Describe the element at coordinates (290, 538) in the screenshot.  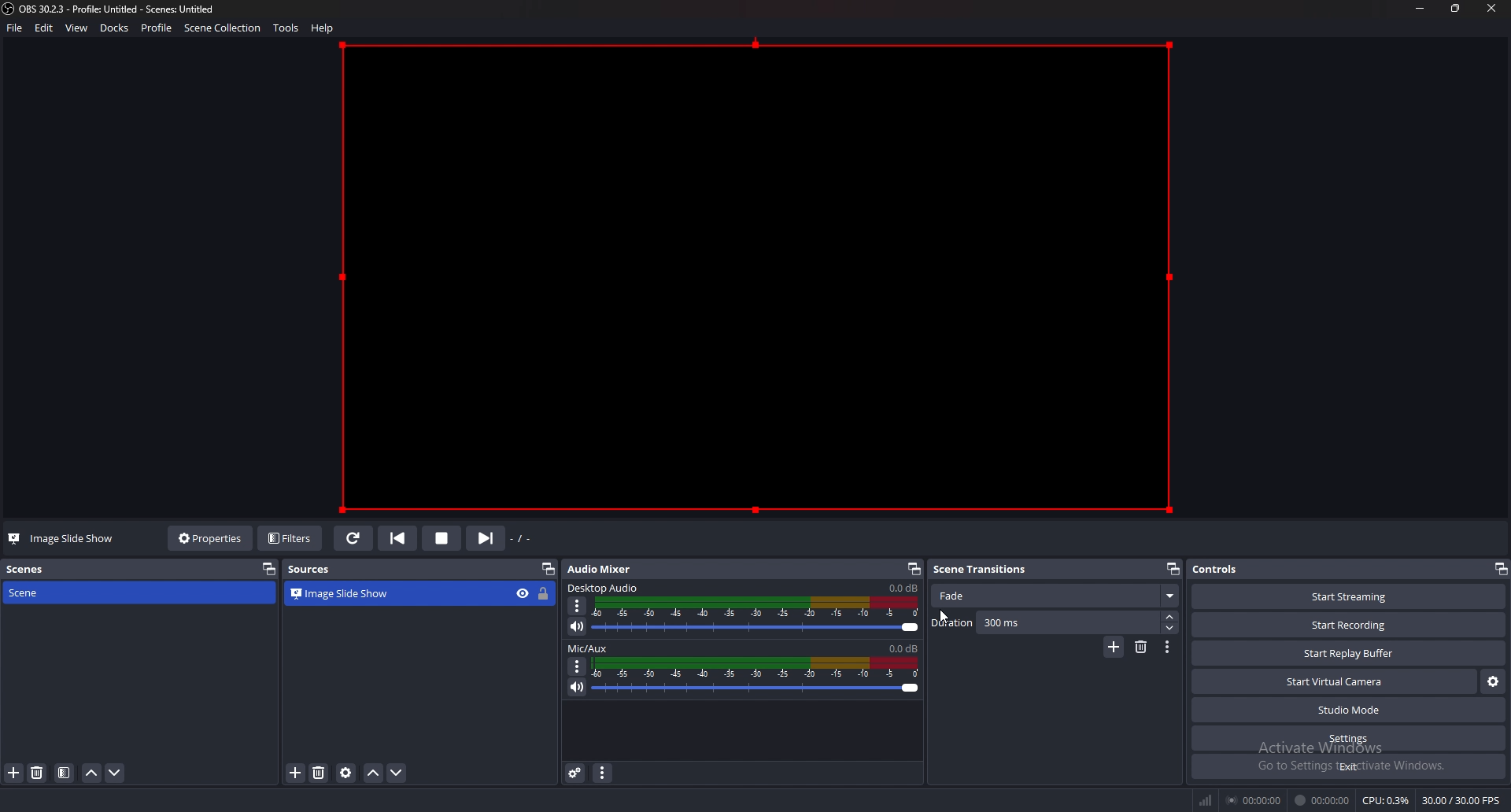
I see `filters` at that location.